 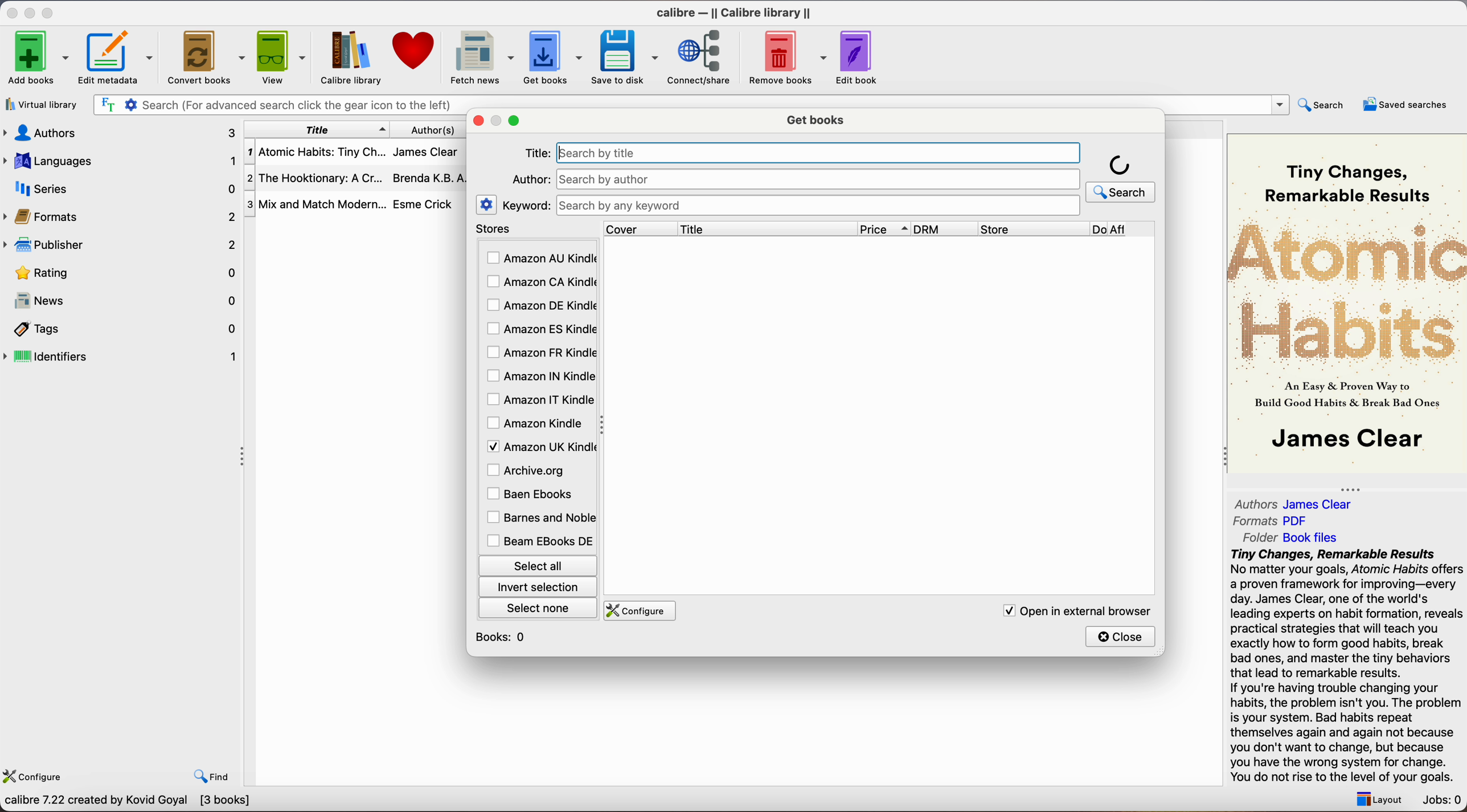 I want to click on get books, so click(x=818, y=118).